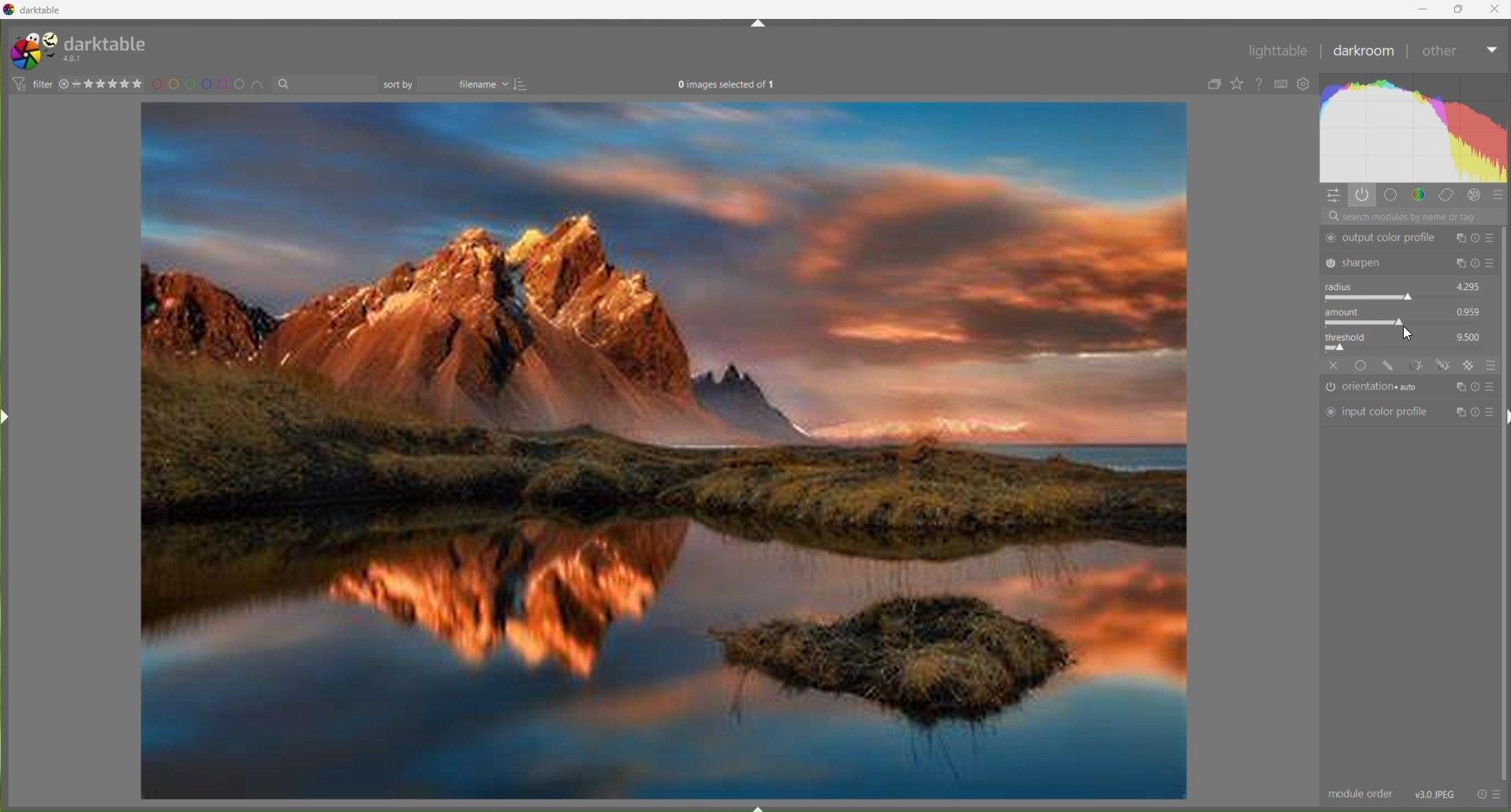 The height and width of the screenshot is (812, 1511). I want to click on Darkroom, so click(1364, 53).